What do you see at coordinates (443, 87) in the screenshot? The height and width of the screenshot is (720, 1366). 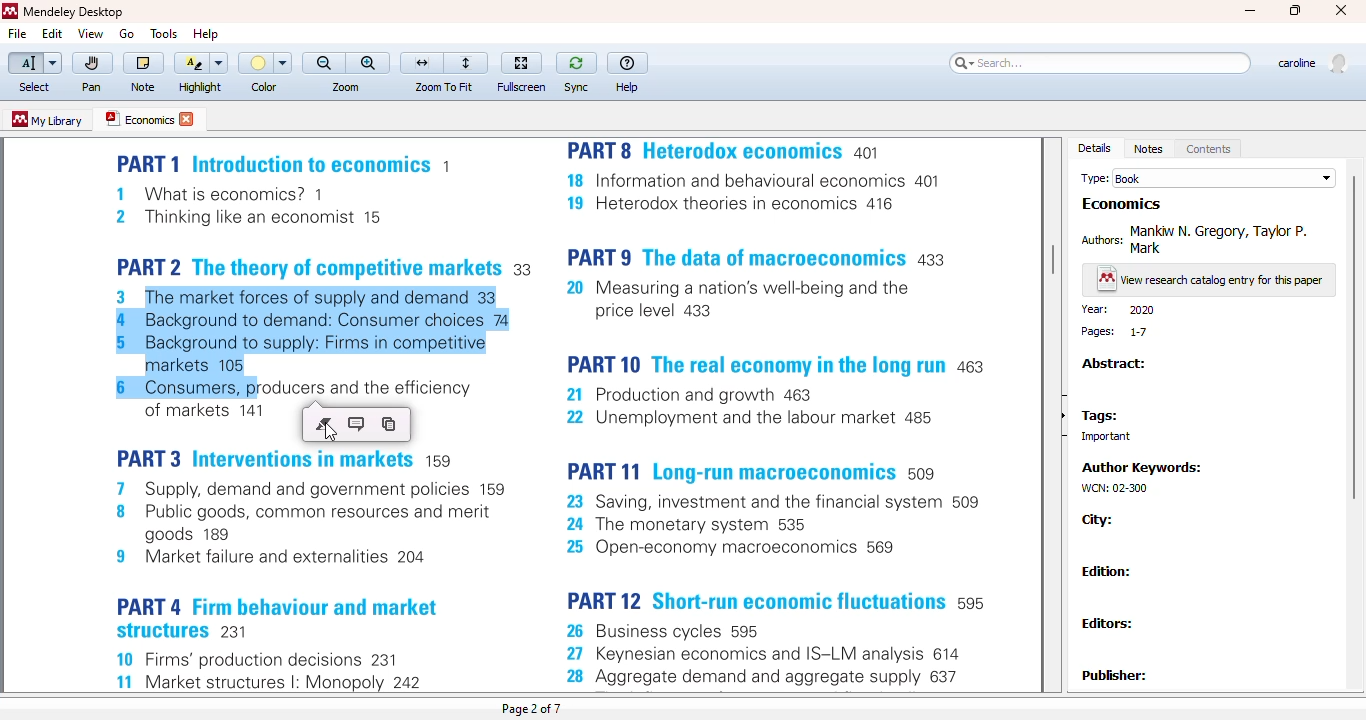 I see `zoom to fit` at bounding box center [443, 87].